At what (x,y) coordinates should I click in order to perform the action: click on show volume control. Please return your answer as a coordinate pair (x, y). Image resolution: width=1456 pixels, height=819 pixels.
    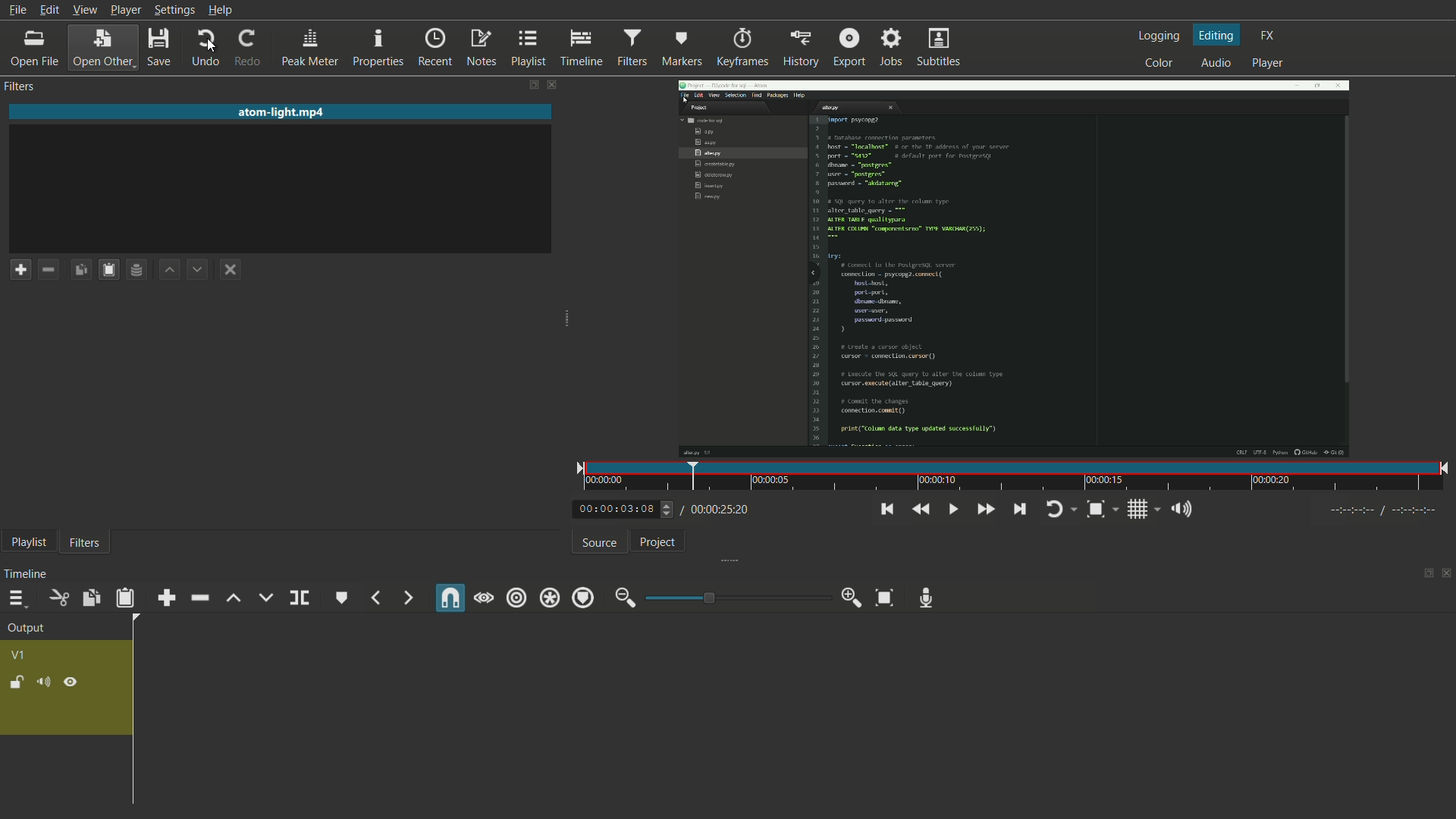
    Looking at the image, I should click on (1181, 510).